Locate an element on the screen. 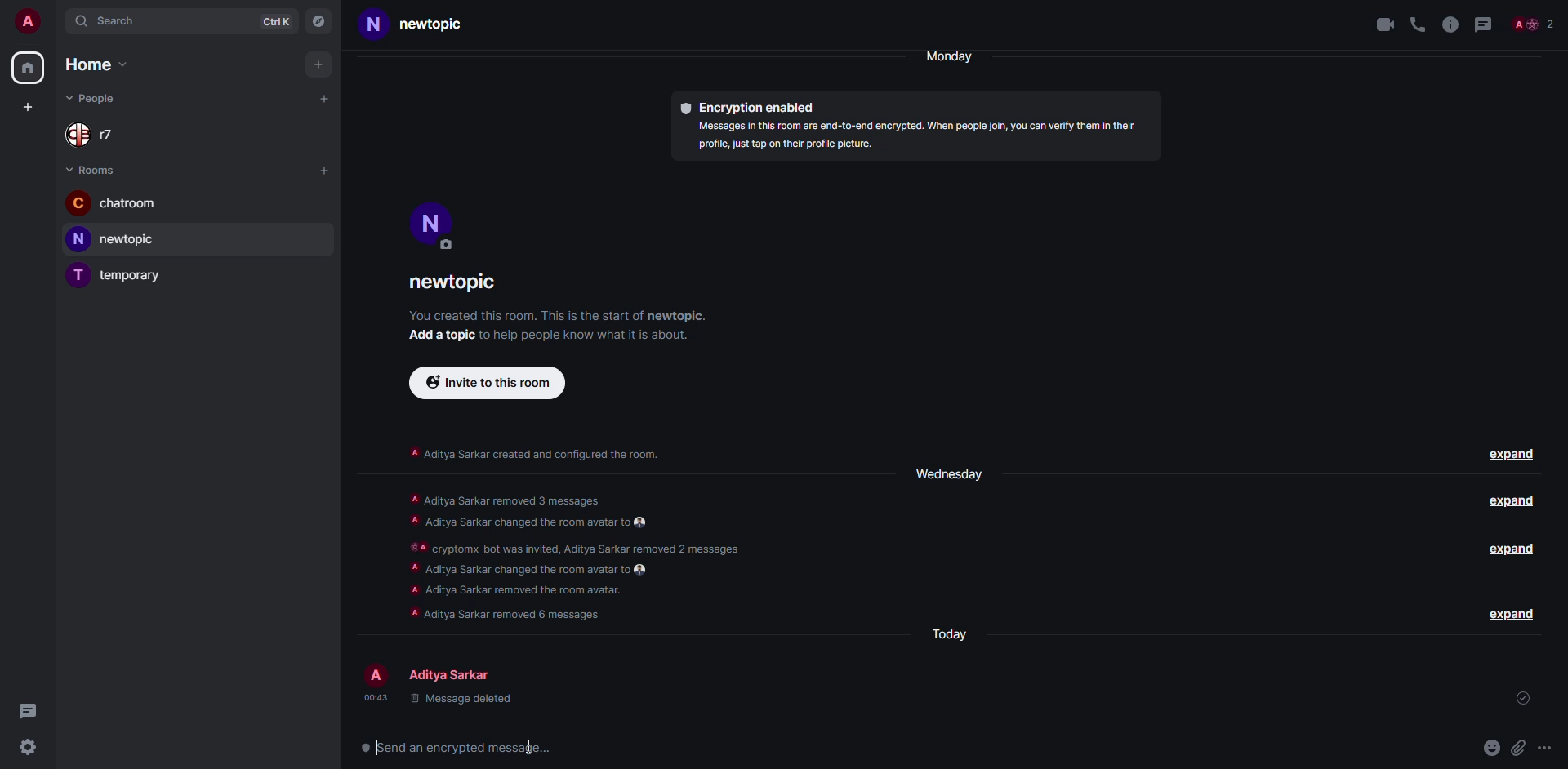 This screenshot has width=1568, height=769. add is located at coordinates (25, 109).